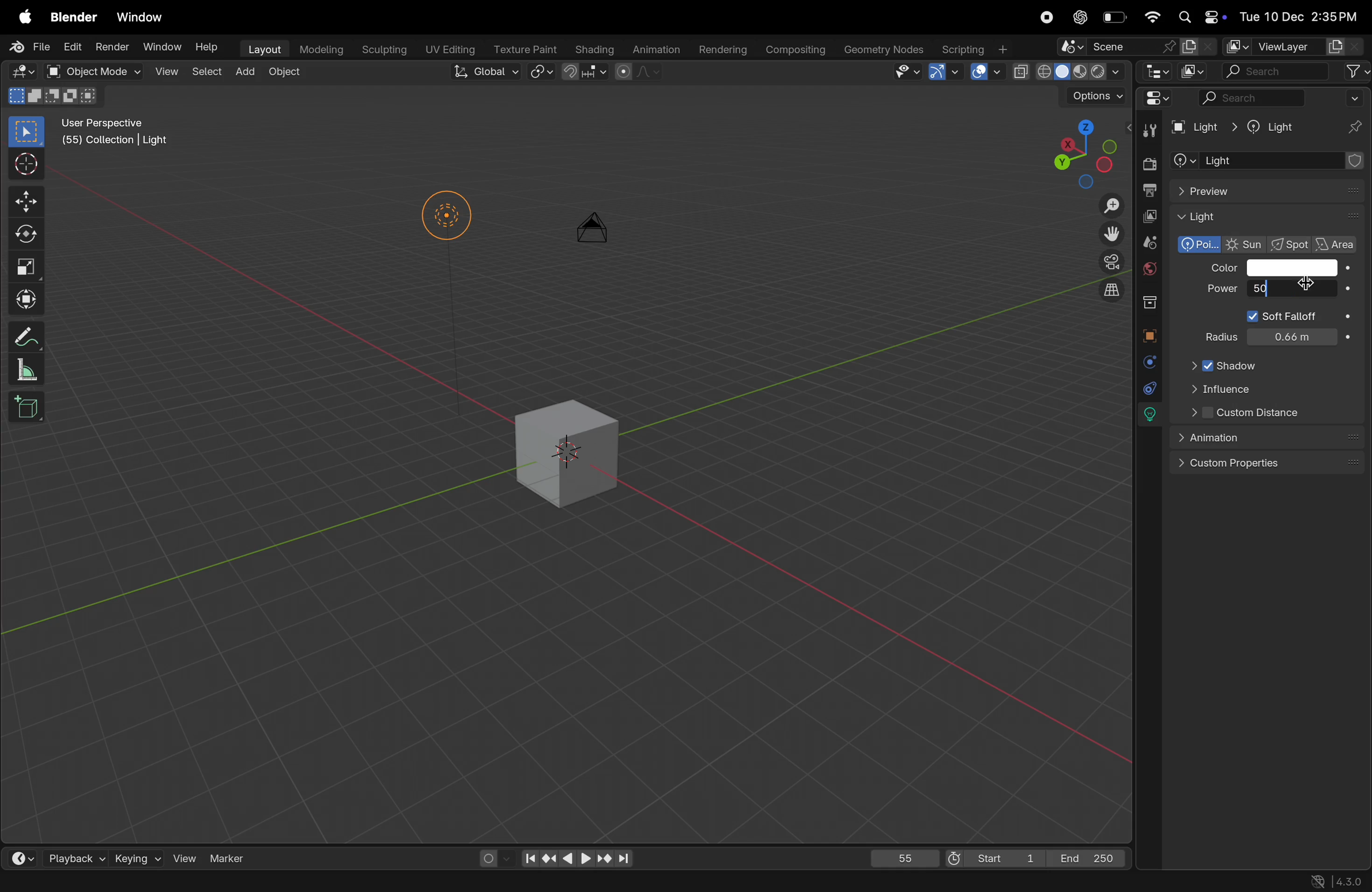 The height and width of the screenshot is (892, 1372). I want to click on Editor mode, so click(1156, 101).